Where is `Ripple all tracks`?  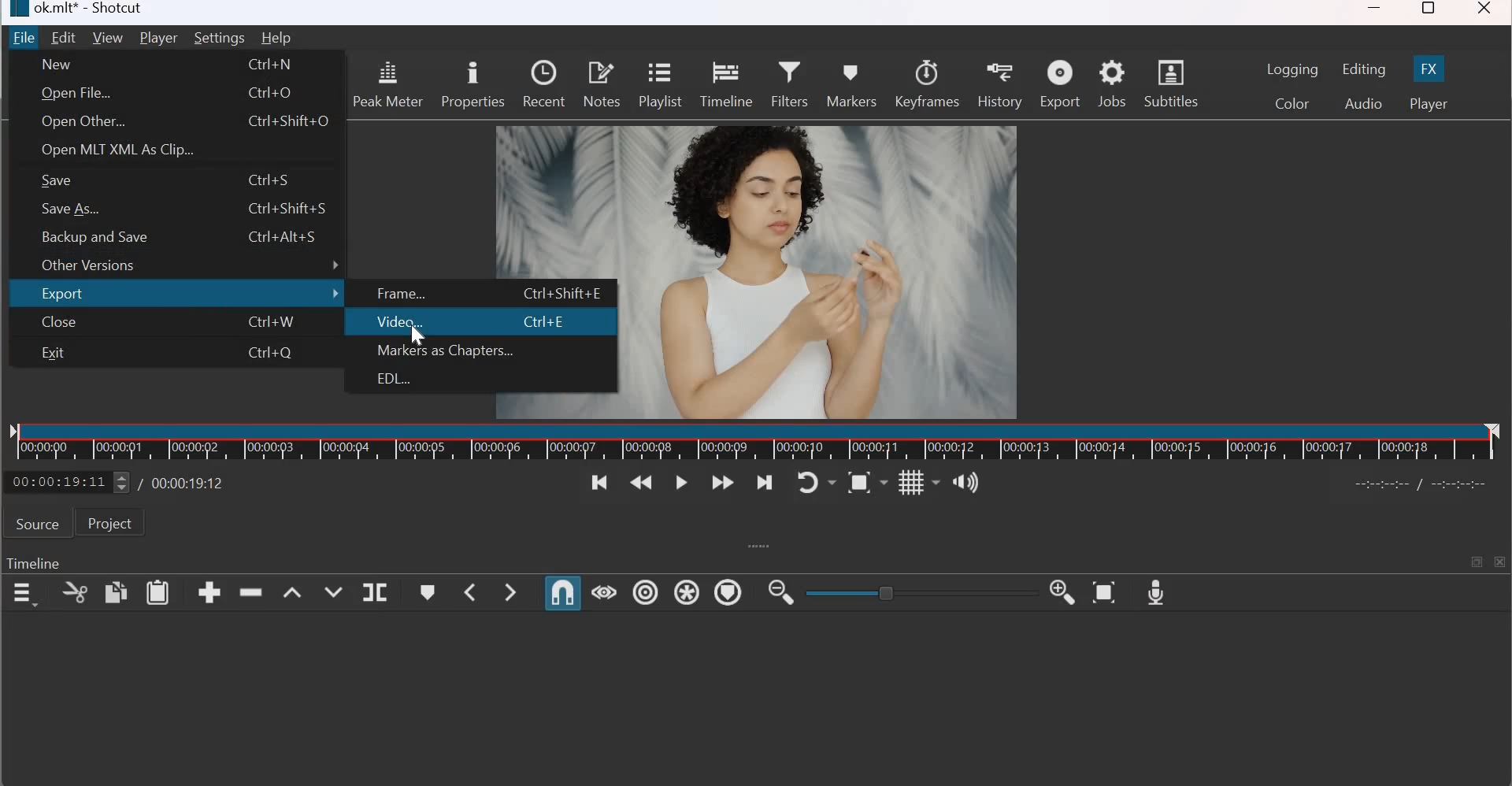 Ripple all tracks is located at coordinates (687, 591).